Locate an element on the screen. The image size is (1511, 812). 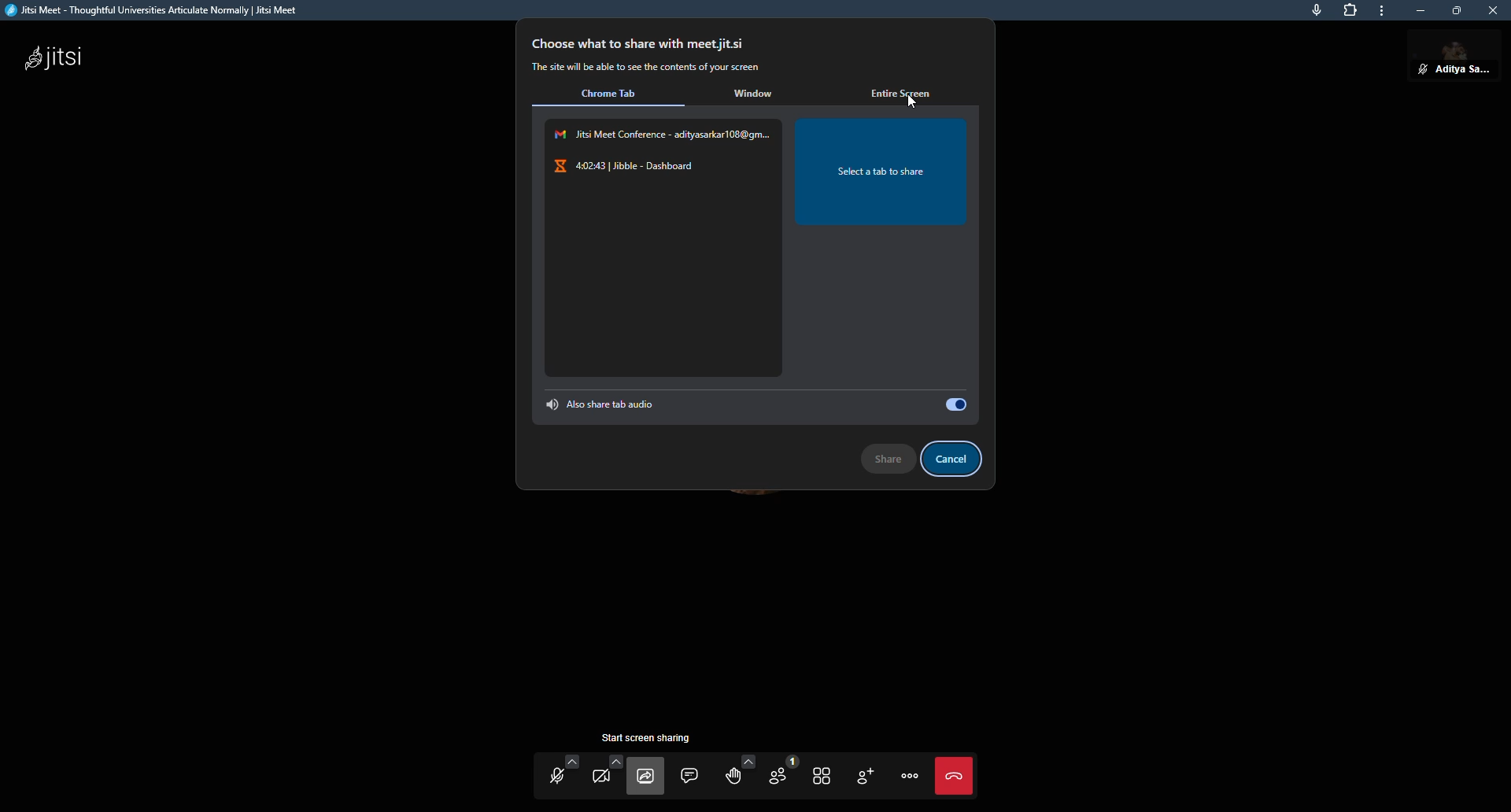
more actions is located at coordinates (910, 777).